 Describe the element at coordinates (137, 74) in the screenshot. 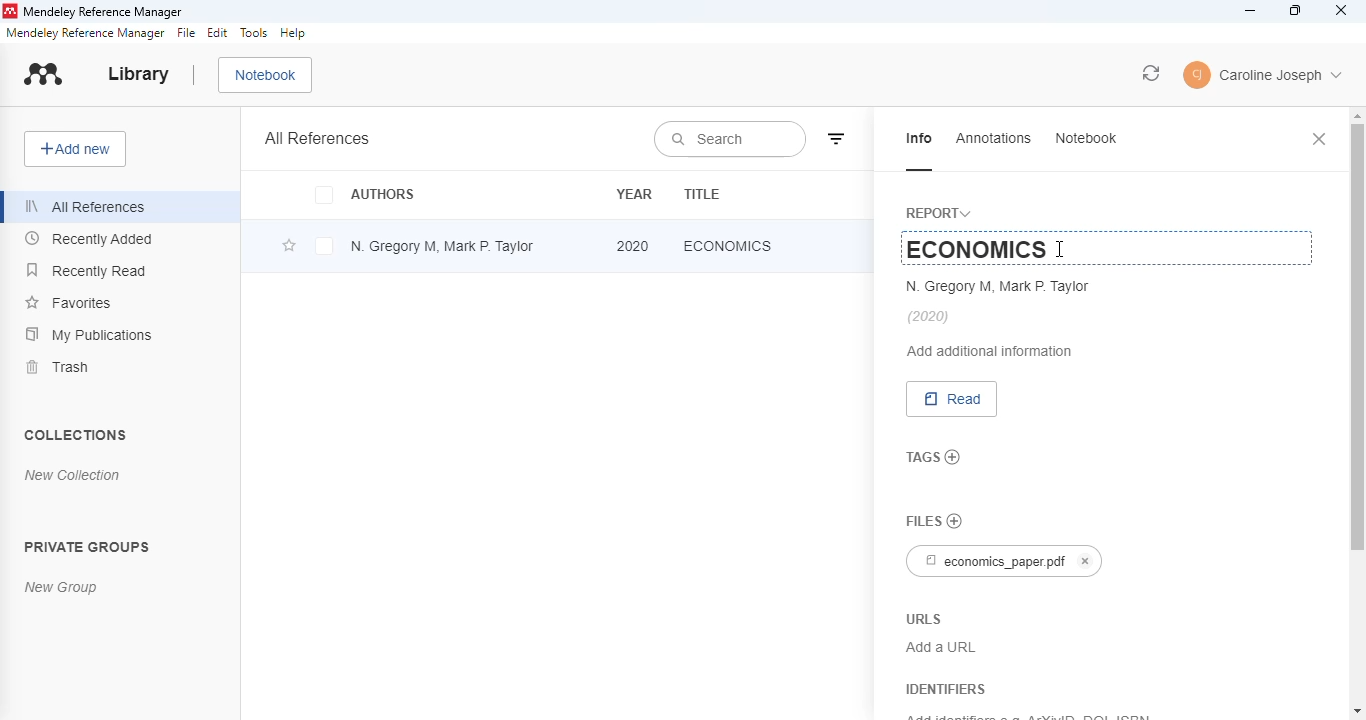

I see `library` at that location.